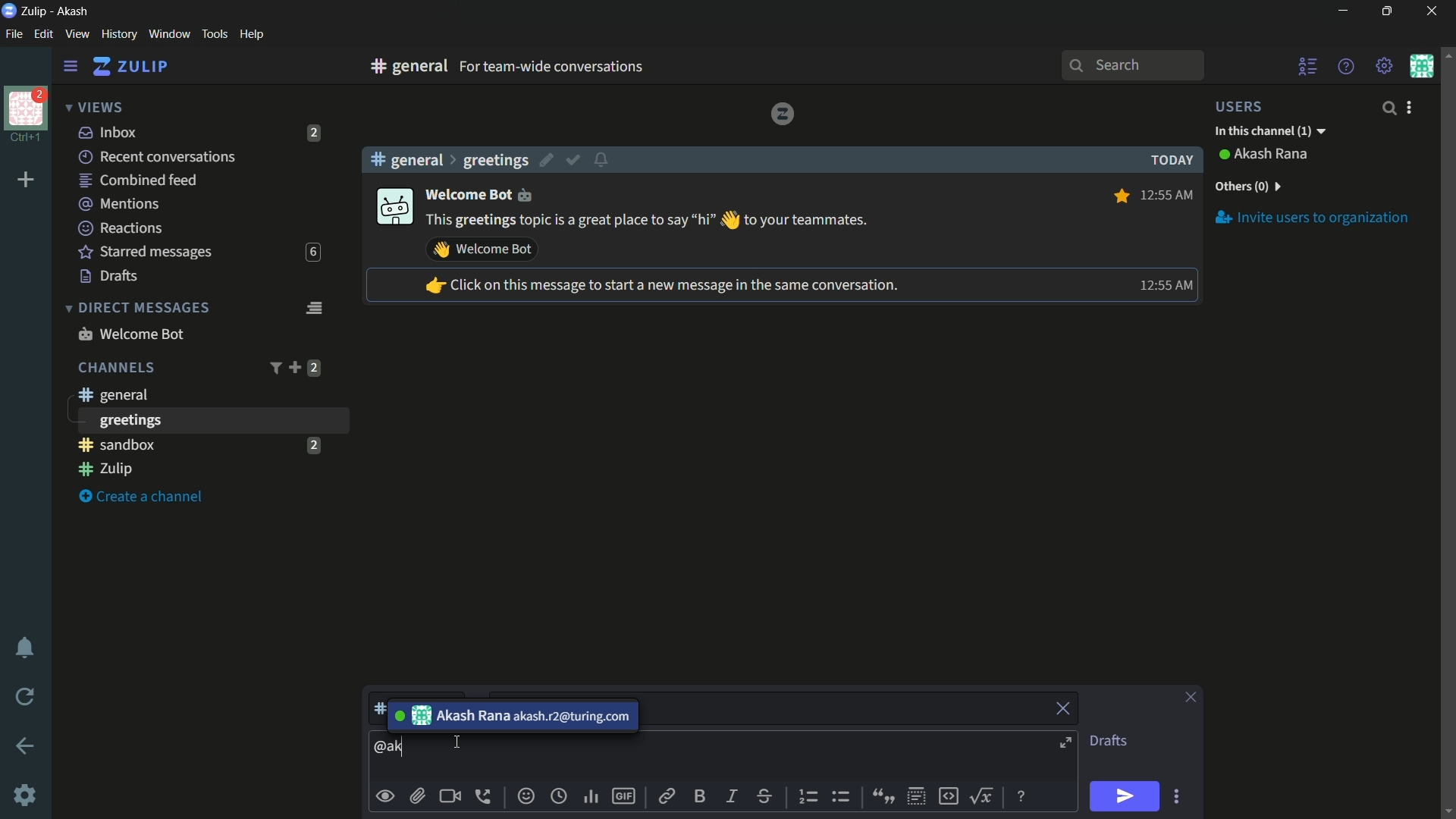 This screenshot has width=1456, height=819. I want to click on window menu, so click(169, 34).